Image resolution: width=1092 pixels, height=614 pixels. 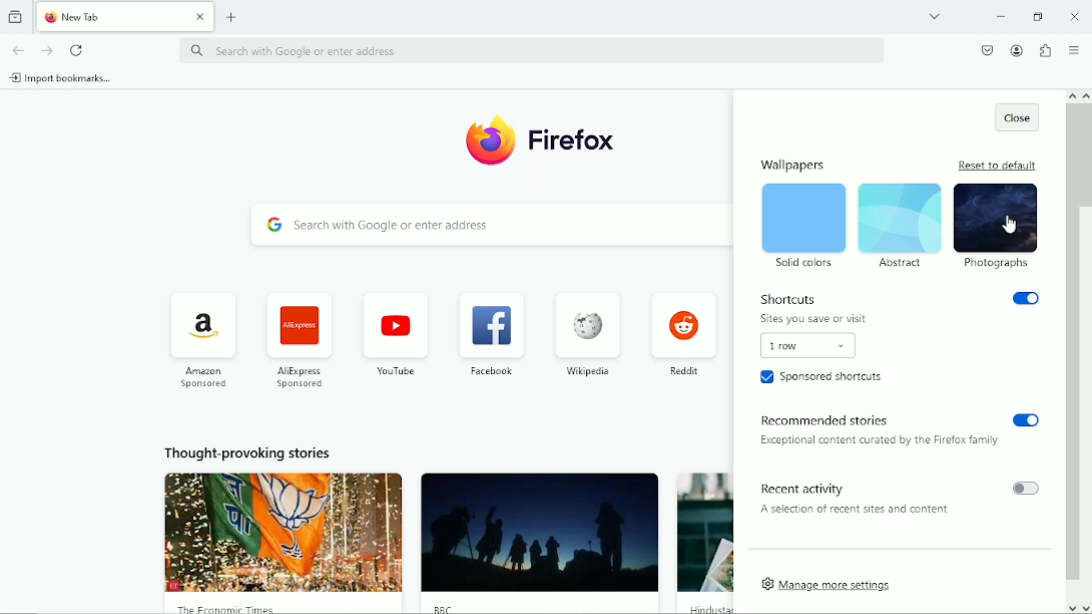 I want to click on Reddit, so click(x=684, y=333).